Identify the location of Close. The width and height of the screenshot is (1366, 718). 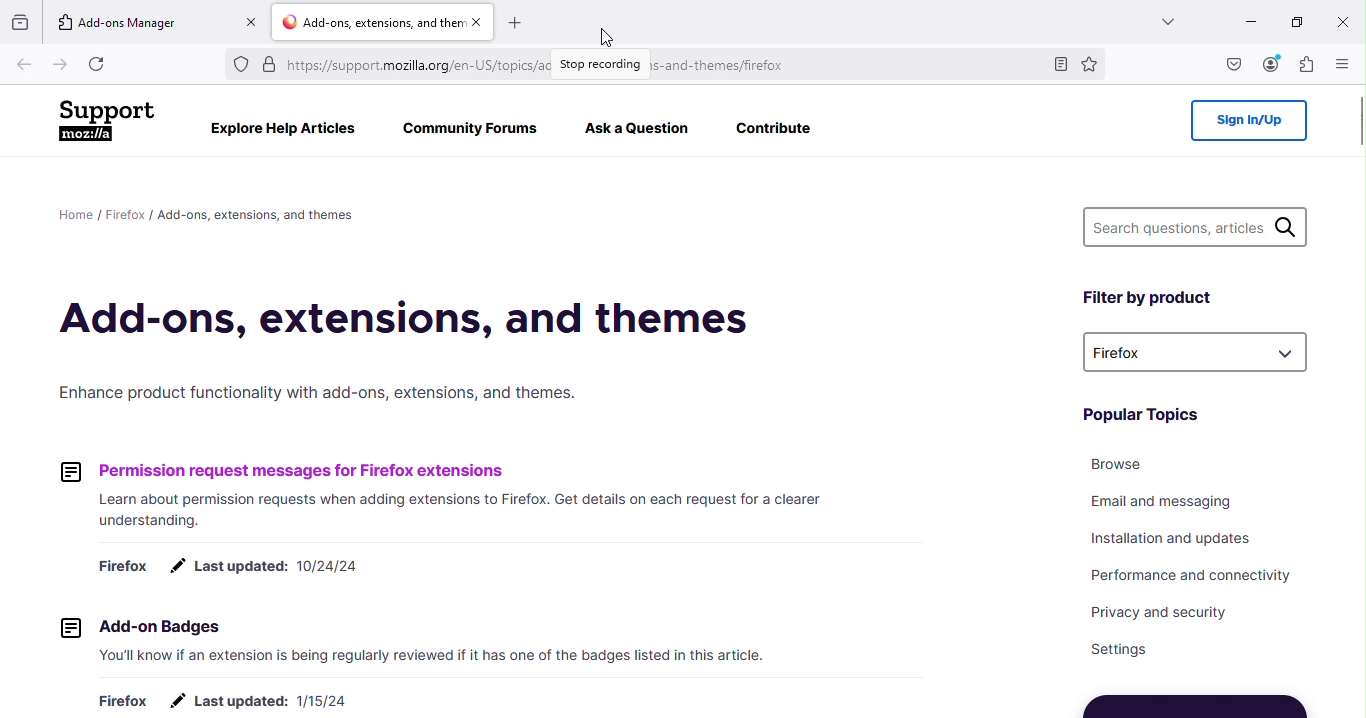
(1341, 20).